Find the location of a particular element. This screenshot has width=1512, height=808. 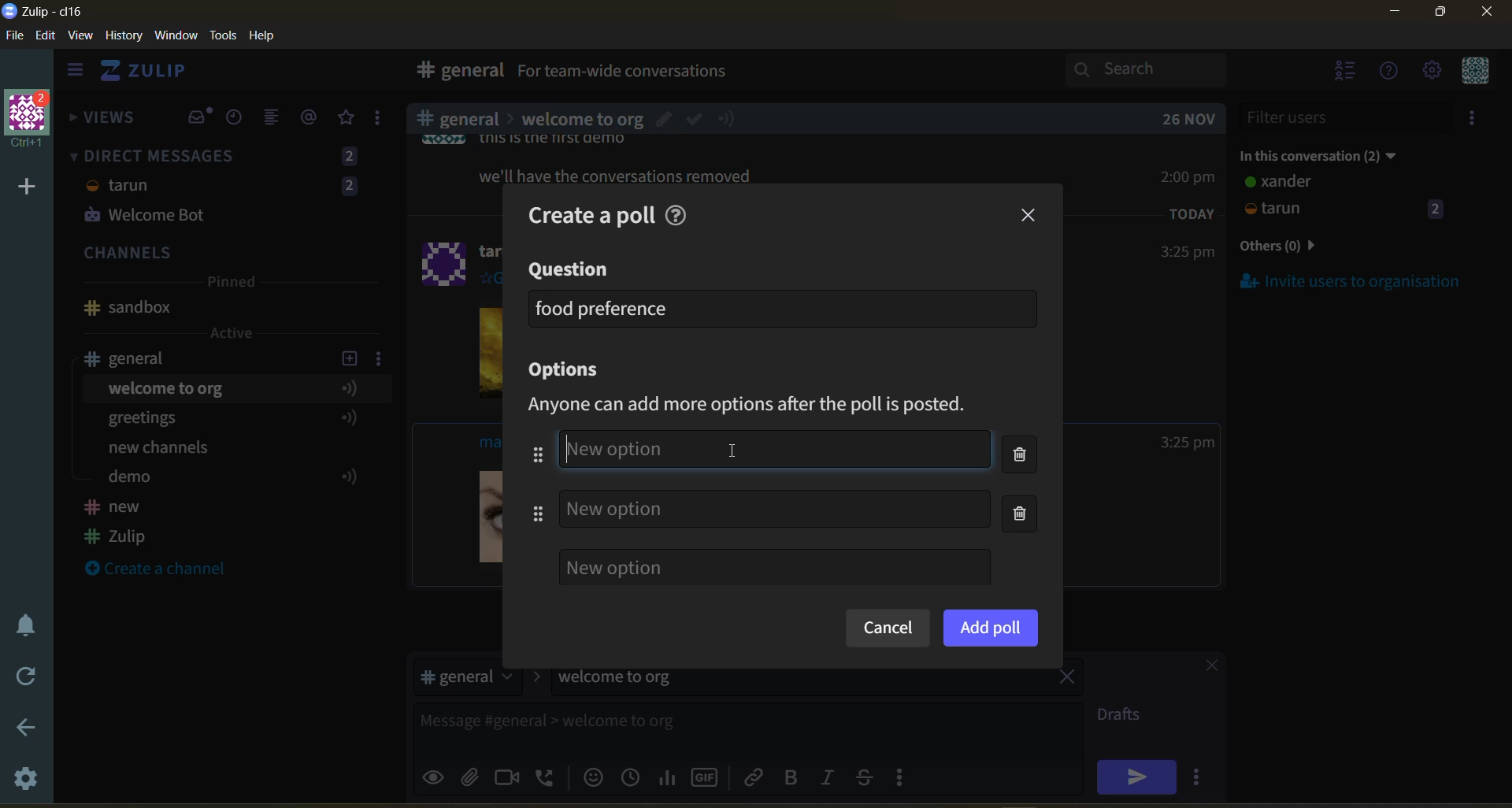

Overview of your conversations with unread messages is located at coordinates (696, 73).